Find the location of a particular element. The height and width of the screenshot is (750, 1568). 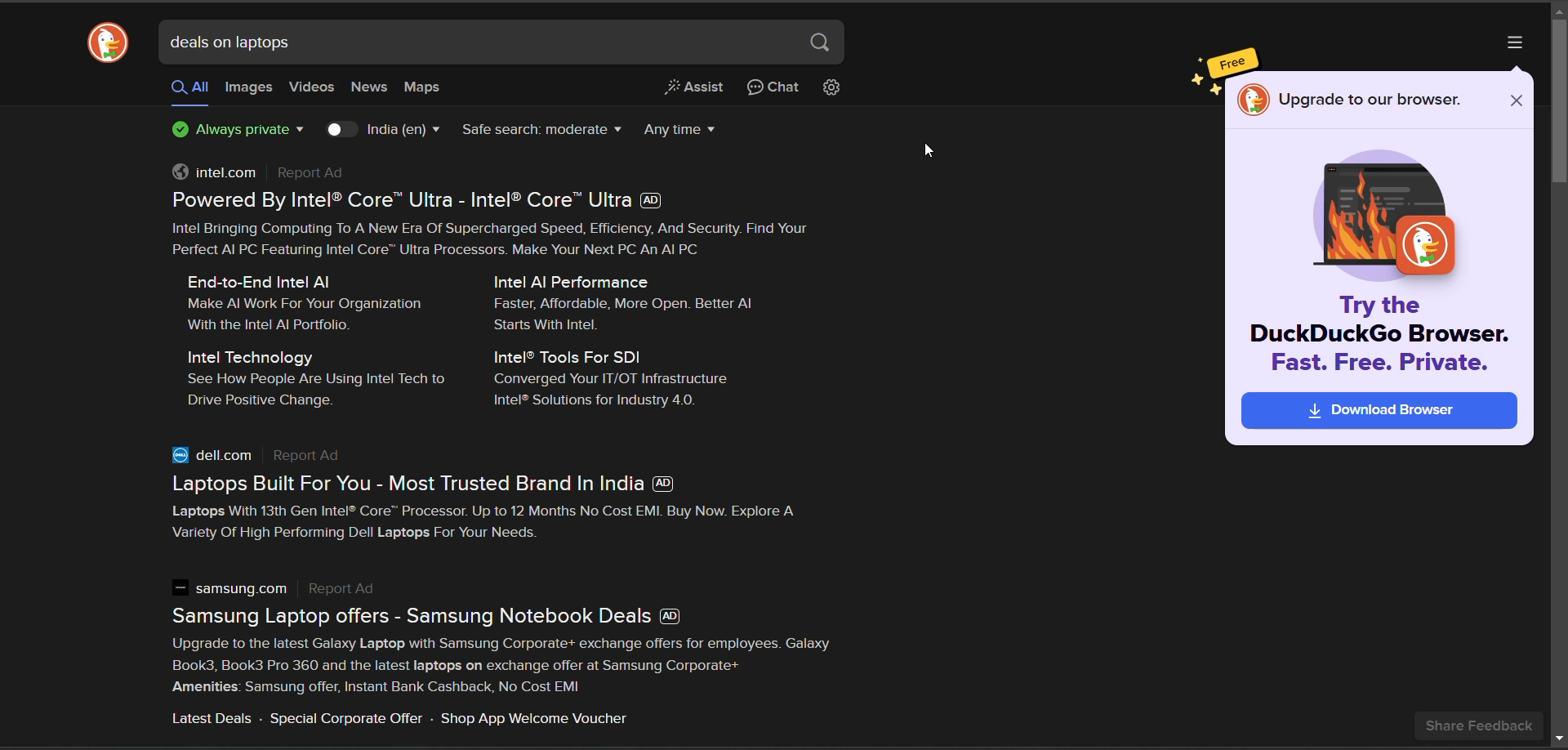

search bar is located at coordinates (479, 41).